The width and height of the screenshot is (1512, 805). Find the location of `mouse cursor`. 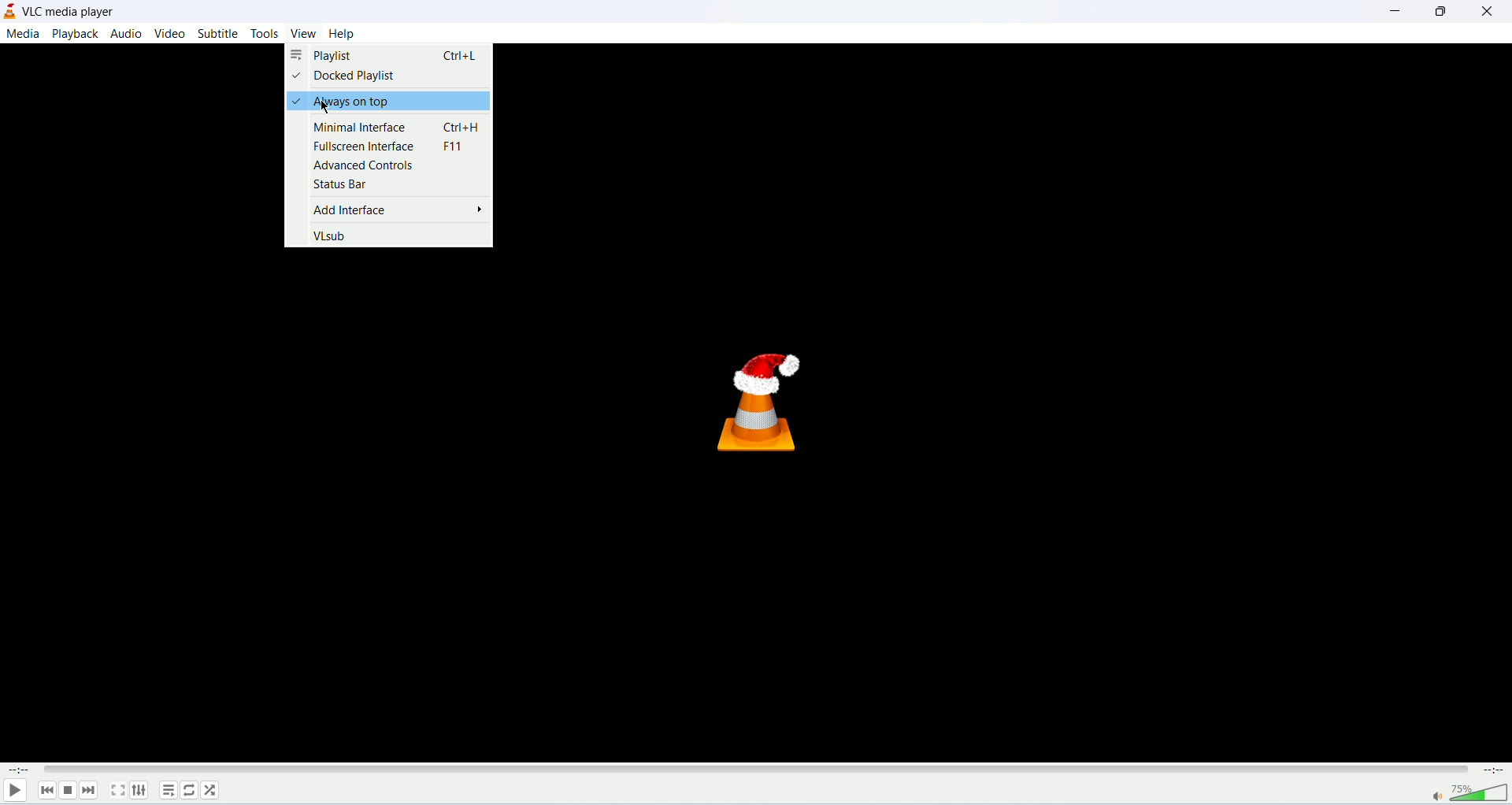

mouse cursor is located at coordinates (320, 106).